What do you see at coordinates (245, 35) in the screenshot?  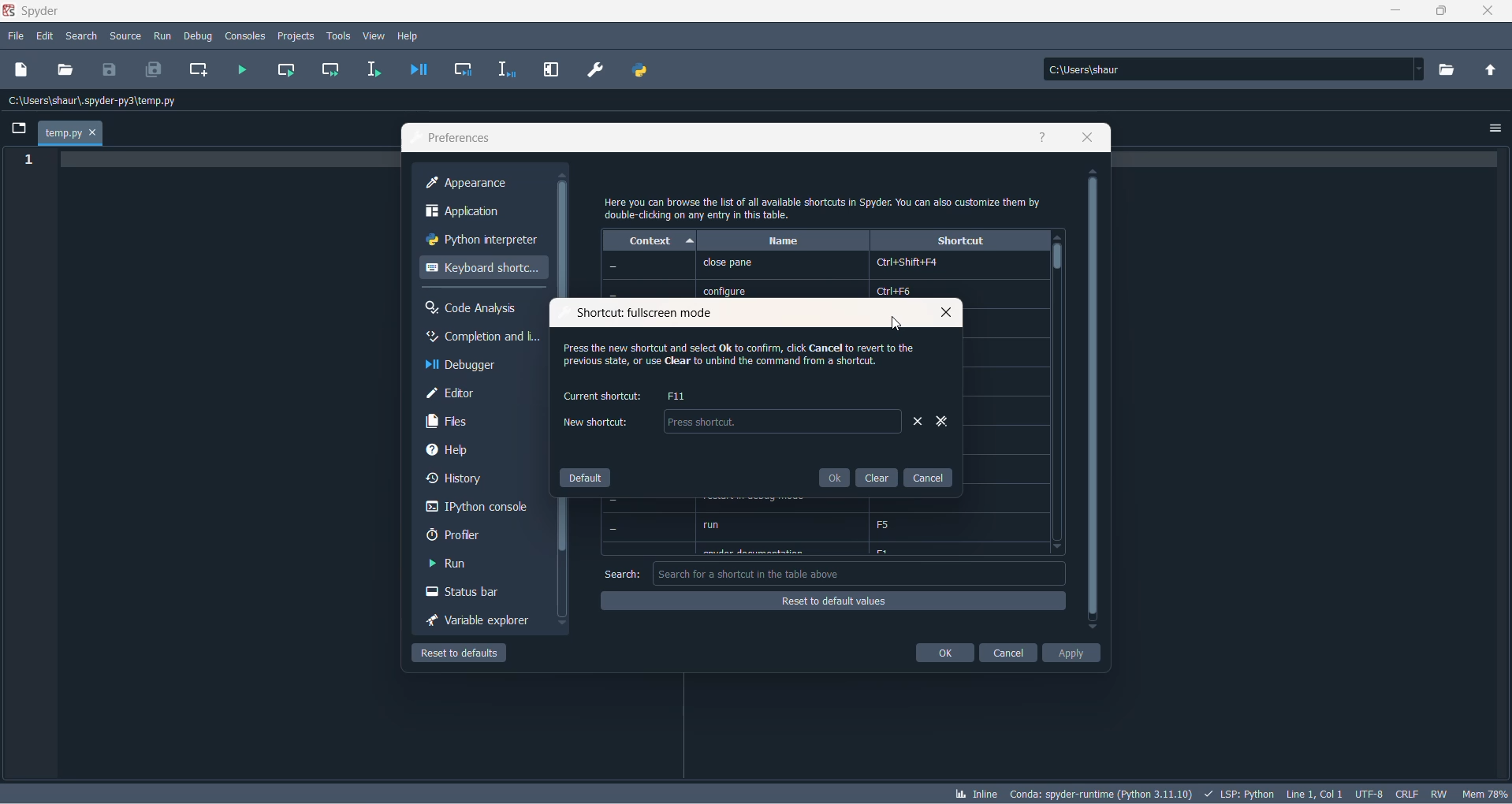 I see `consoles` at bounding box center [245, 35].